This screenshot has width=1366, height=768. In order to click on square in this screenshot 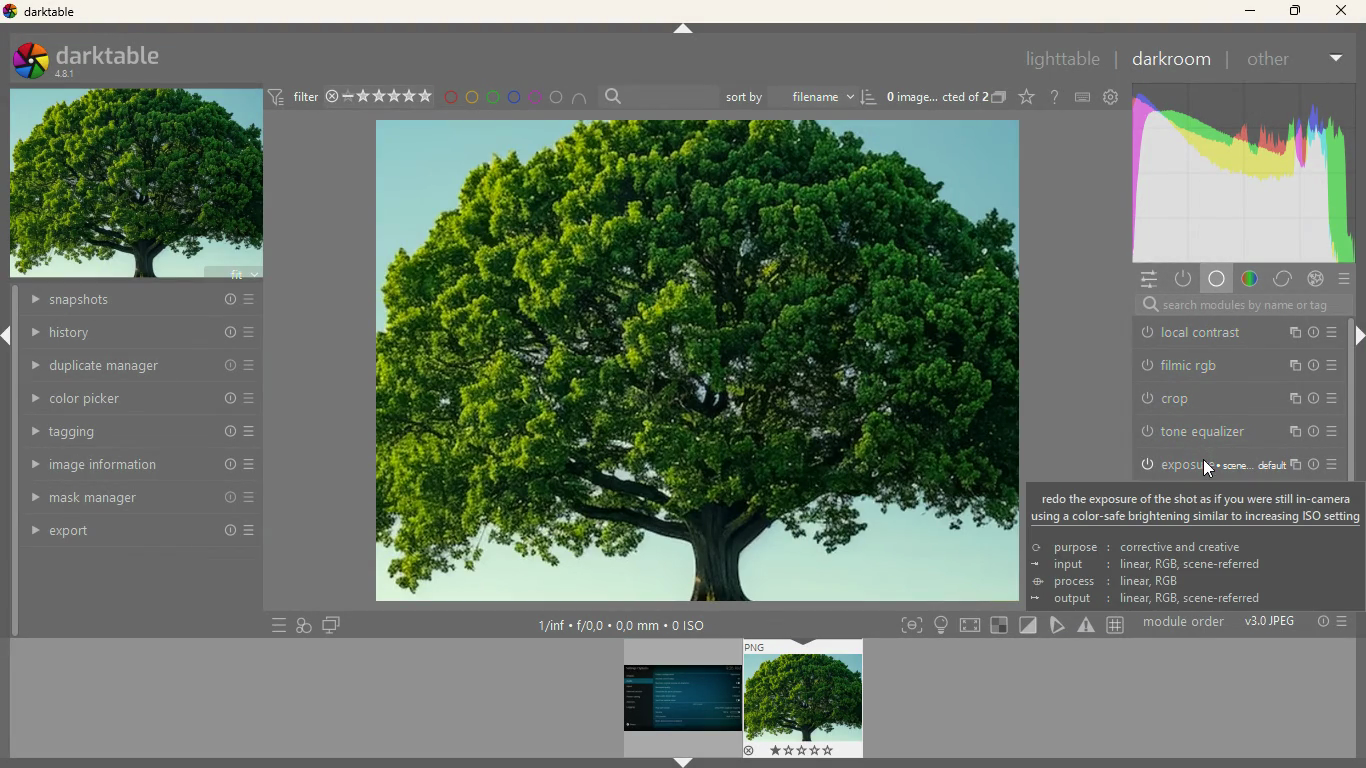, I will do `click(999, 624)`.